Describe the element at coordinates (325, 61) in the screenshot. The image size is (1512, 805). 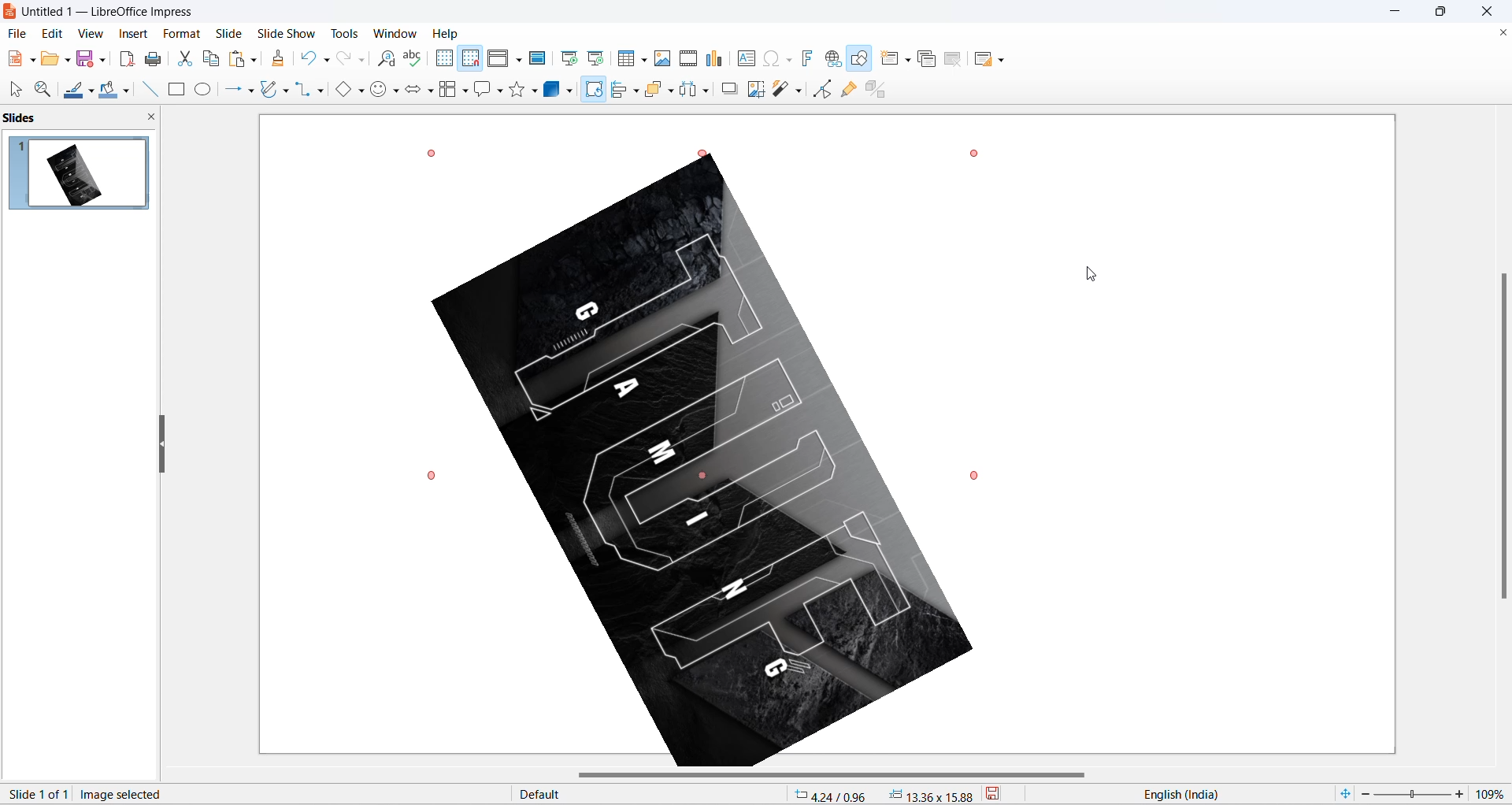
I see `undo options` at that location.